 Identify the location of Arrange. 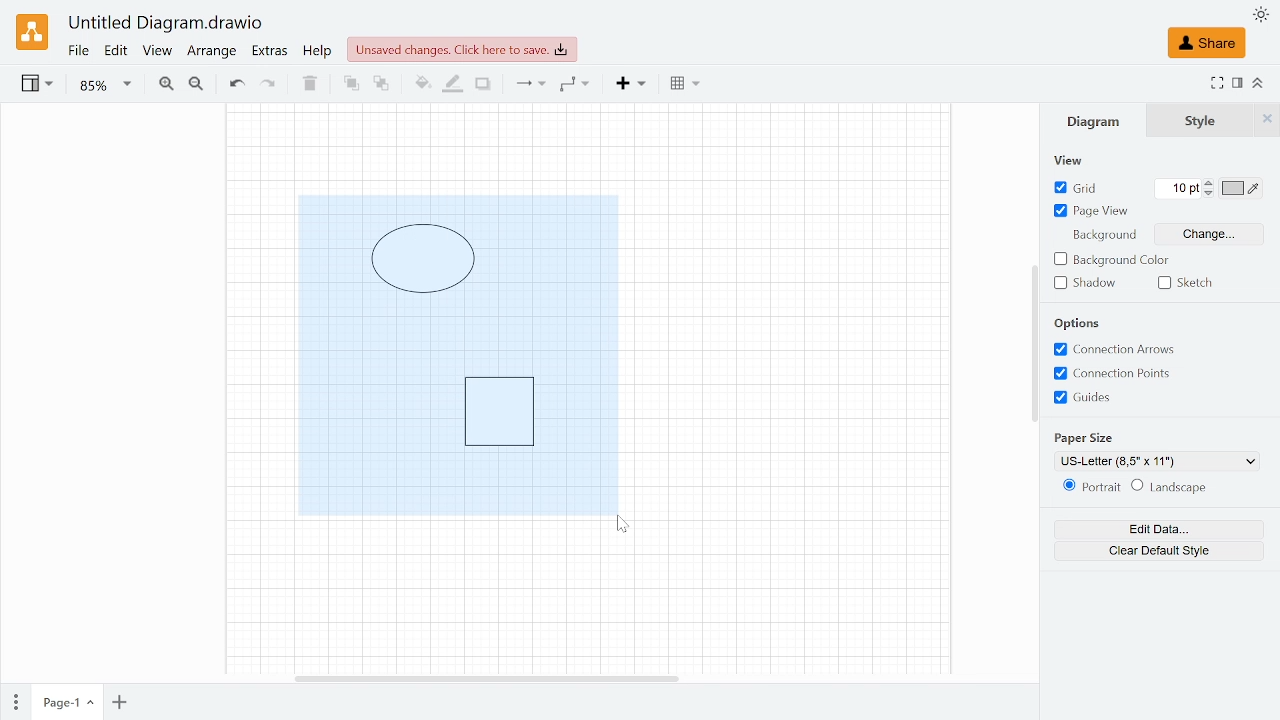
(212, 54).